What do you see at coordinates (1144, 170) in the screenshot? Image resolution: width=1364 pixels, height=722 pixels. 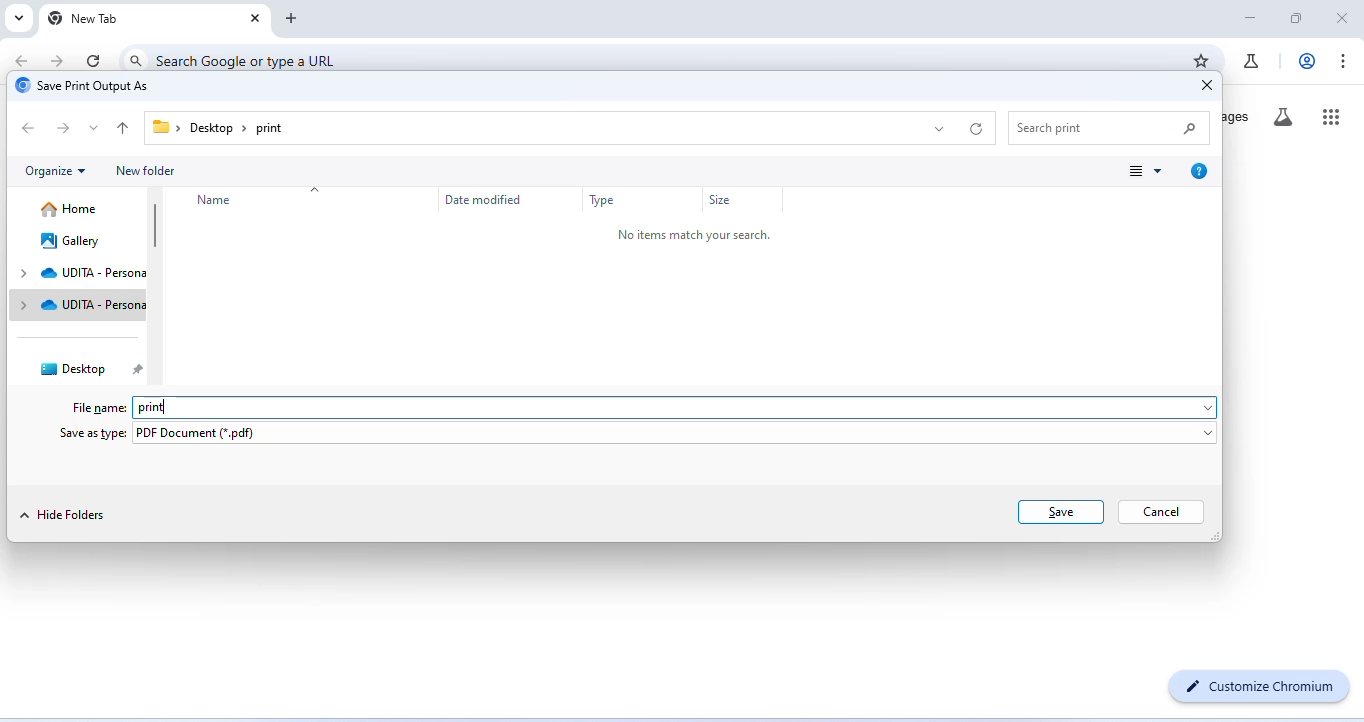 I see `change view` at bounding box center [1144, 170].